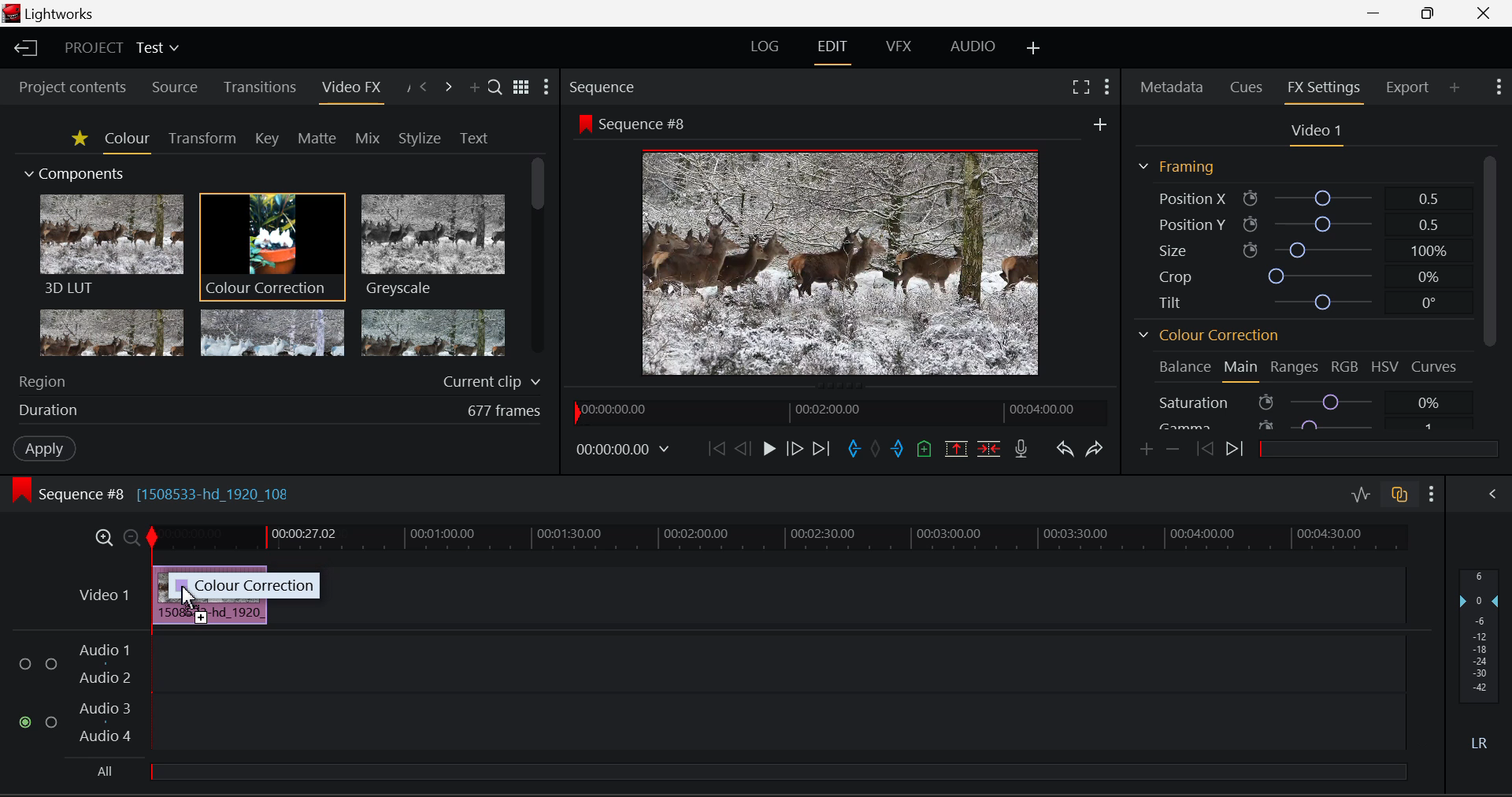  I want to click on Matte, so click(317, 139).